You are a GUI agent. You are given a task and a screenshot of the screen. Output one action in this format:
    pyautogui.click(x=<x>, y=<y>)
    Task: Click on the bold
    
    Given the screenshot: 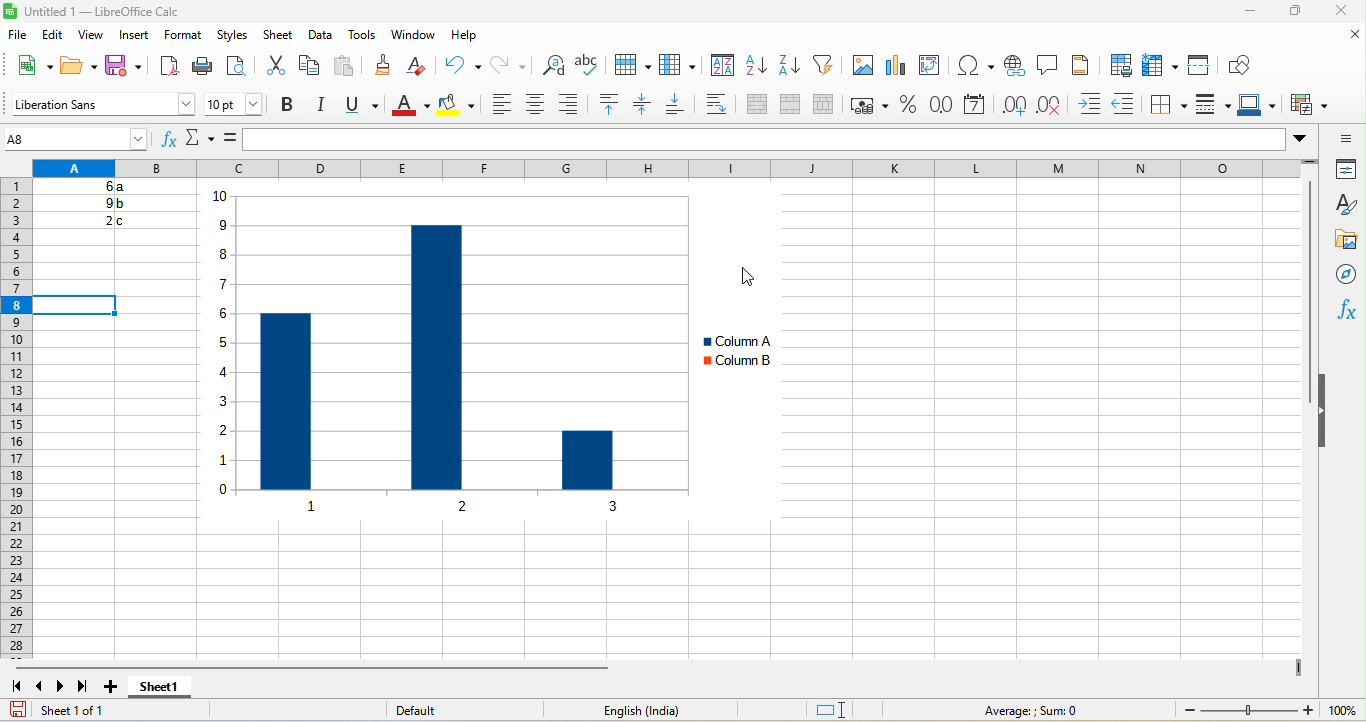 What is the action you would take?
    pyautogui.click(x=289, y=105)
    